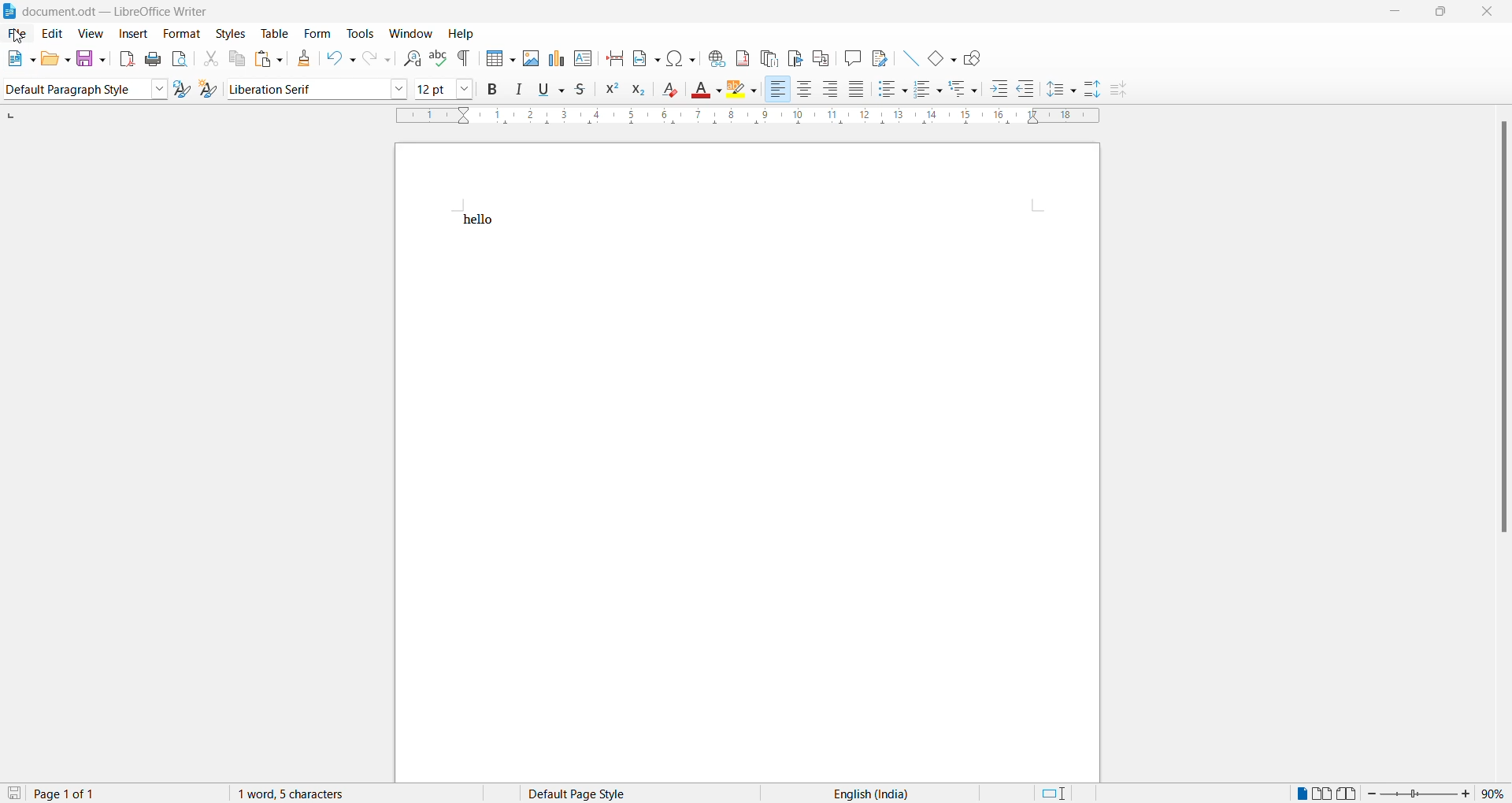  I want to click on Print preview, so click(180, 60).